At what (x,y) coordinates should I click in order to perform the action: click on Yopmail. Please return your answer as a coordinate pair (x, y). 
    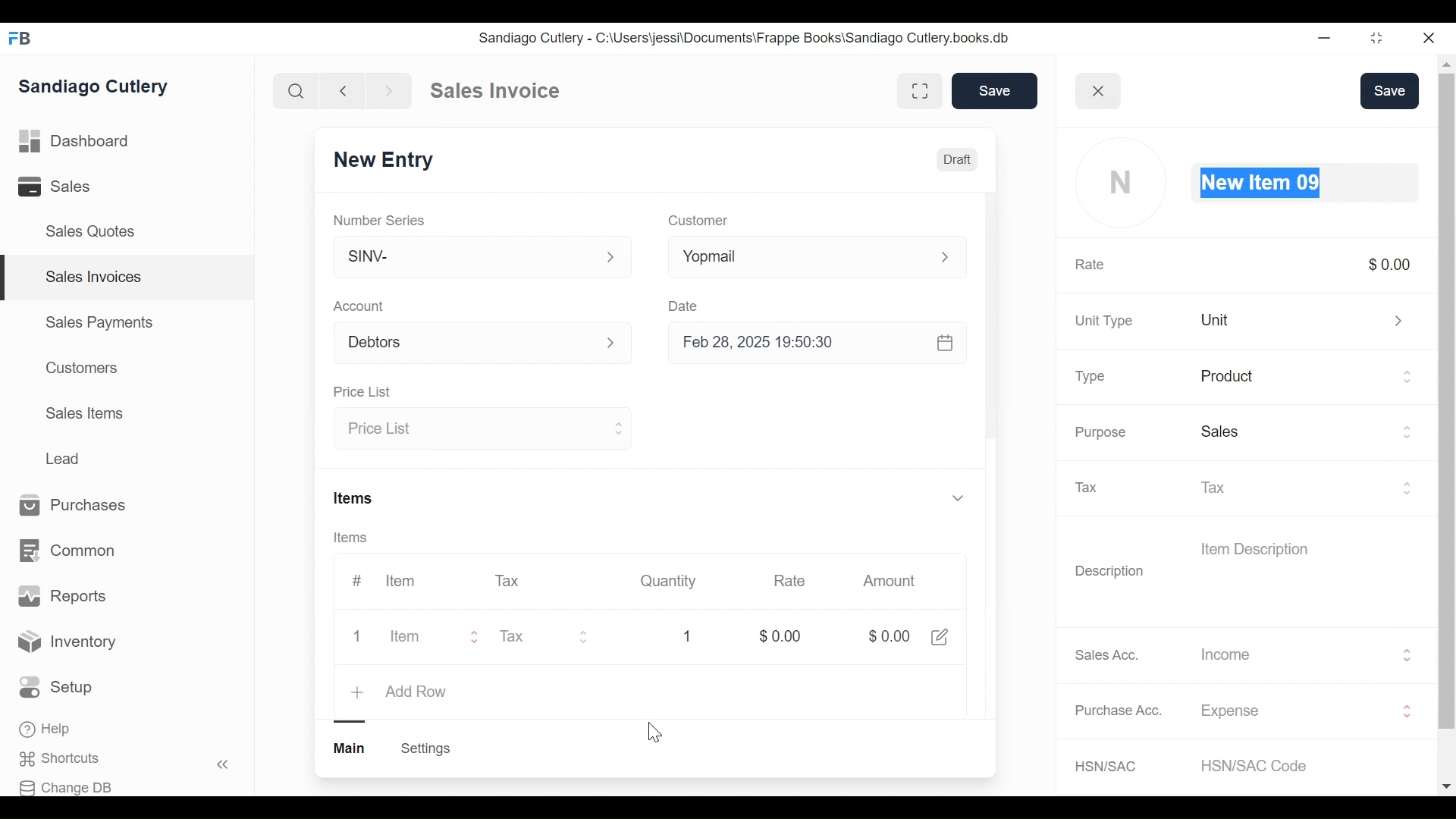
    Looking at the image, I should click on (821, 257).